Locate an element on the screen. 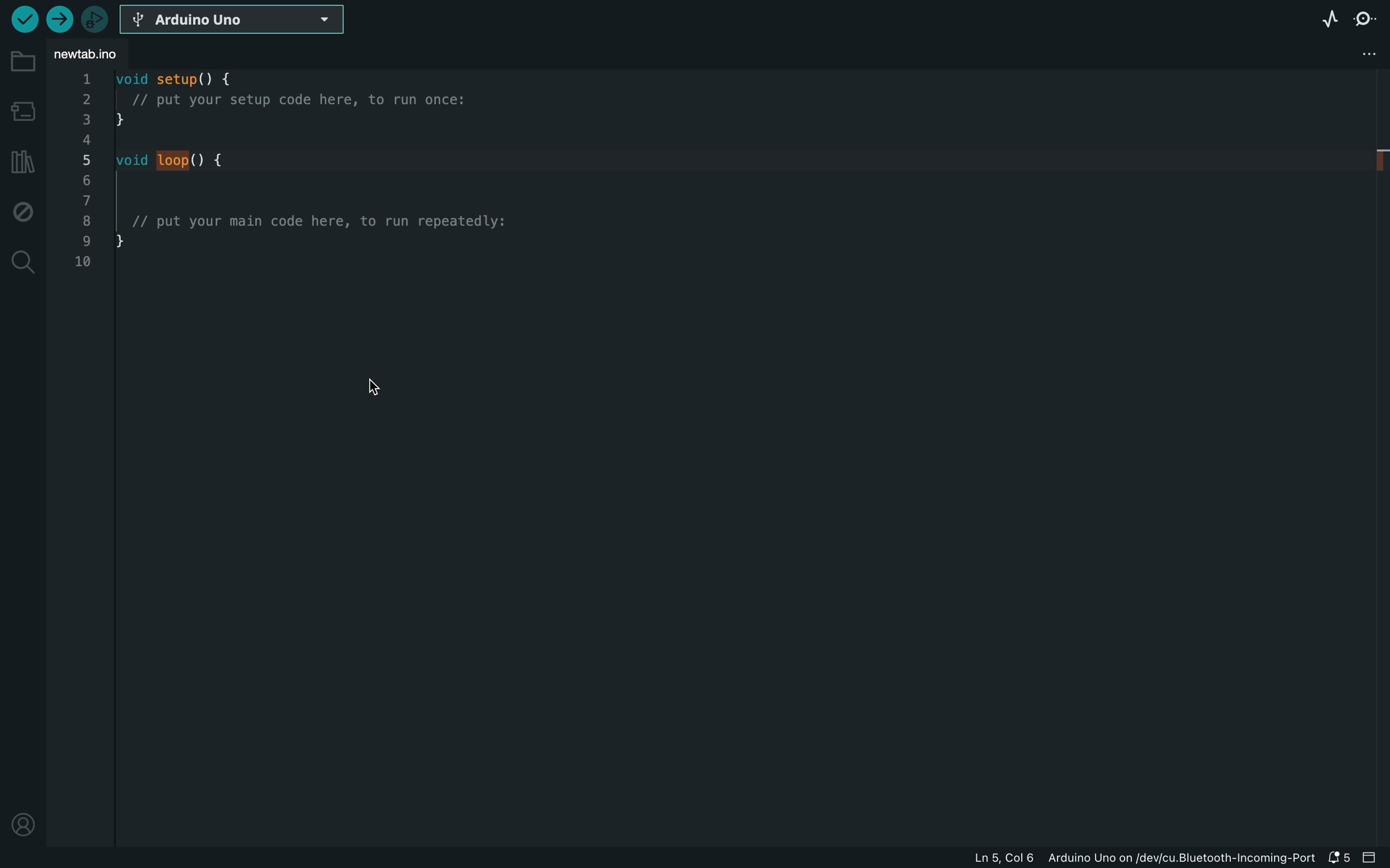 The width and height of the screenshot is (1390, 868). board selecter is located at coordinates (234, 21).